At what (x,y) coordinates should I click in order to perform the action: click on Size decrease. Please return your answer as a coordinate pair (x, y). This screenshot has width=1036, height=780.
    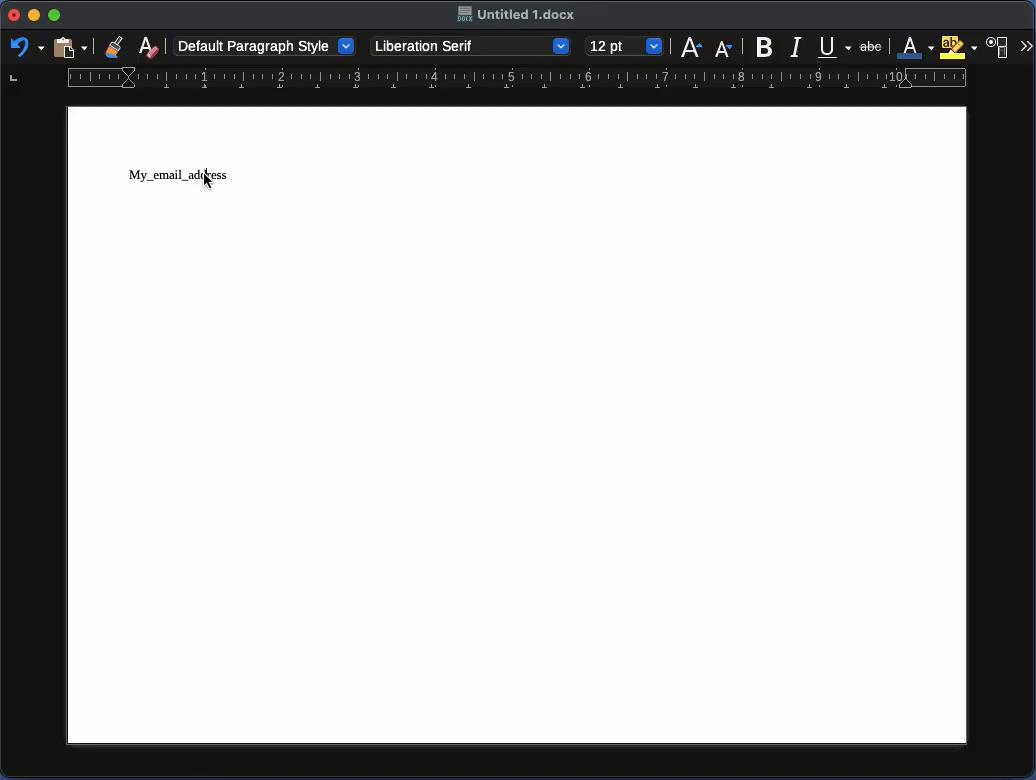
    Looking at the image, I should click on (723, 49).